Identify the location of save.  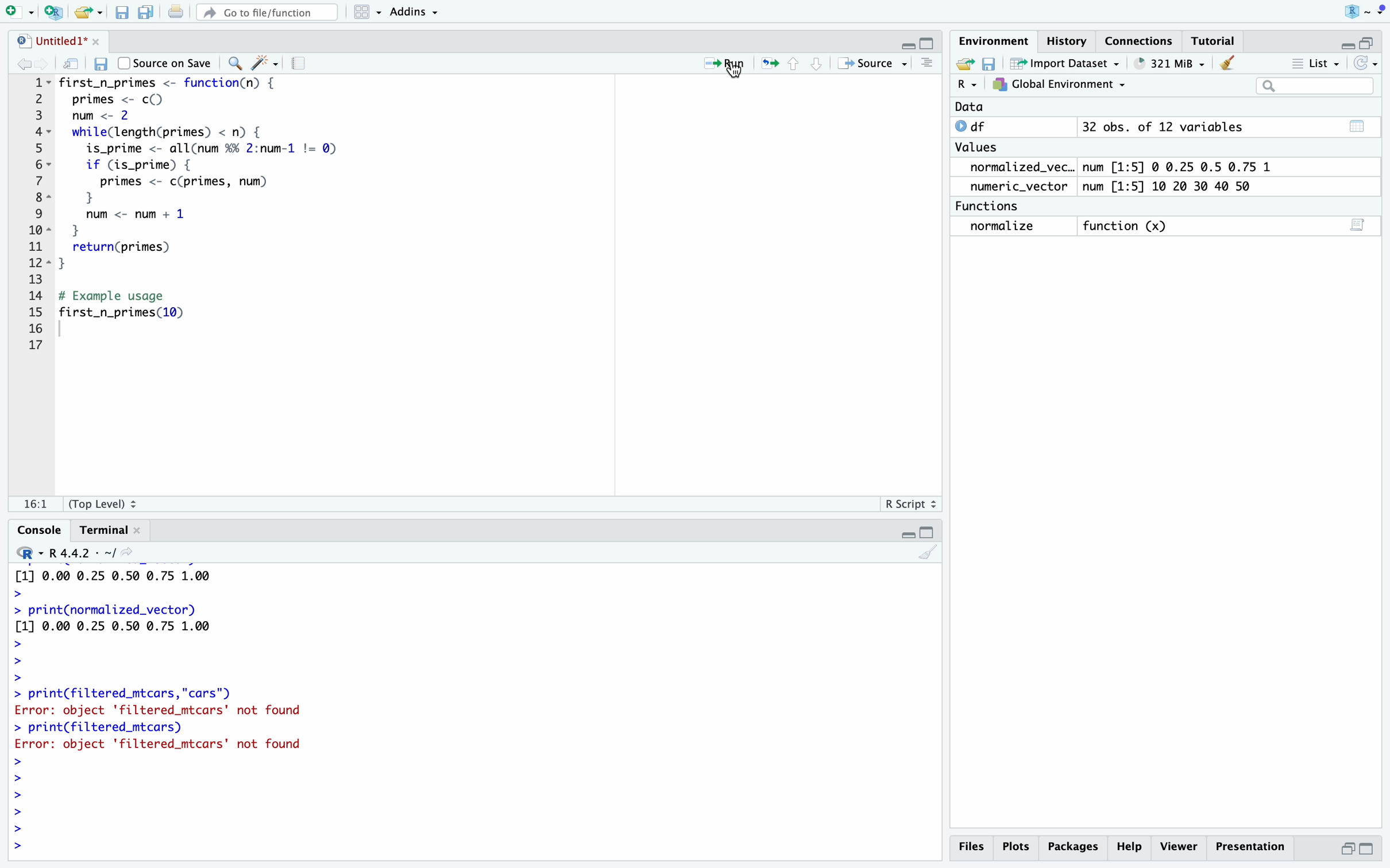
(991, 61).